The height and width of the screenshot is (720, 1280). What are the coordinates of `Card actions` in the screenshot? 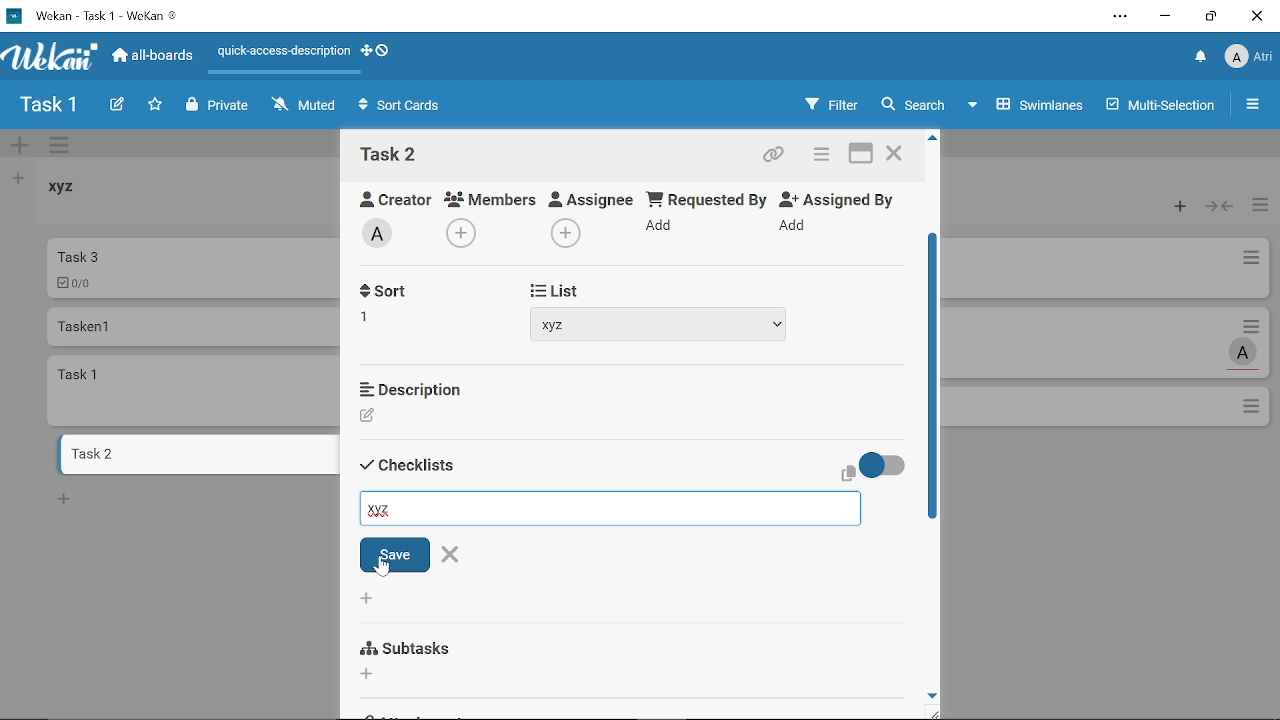 It's located at (1256, 325).